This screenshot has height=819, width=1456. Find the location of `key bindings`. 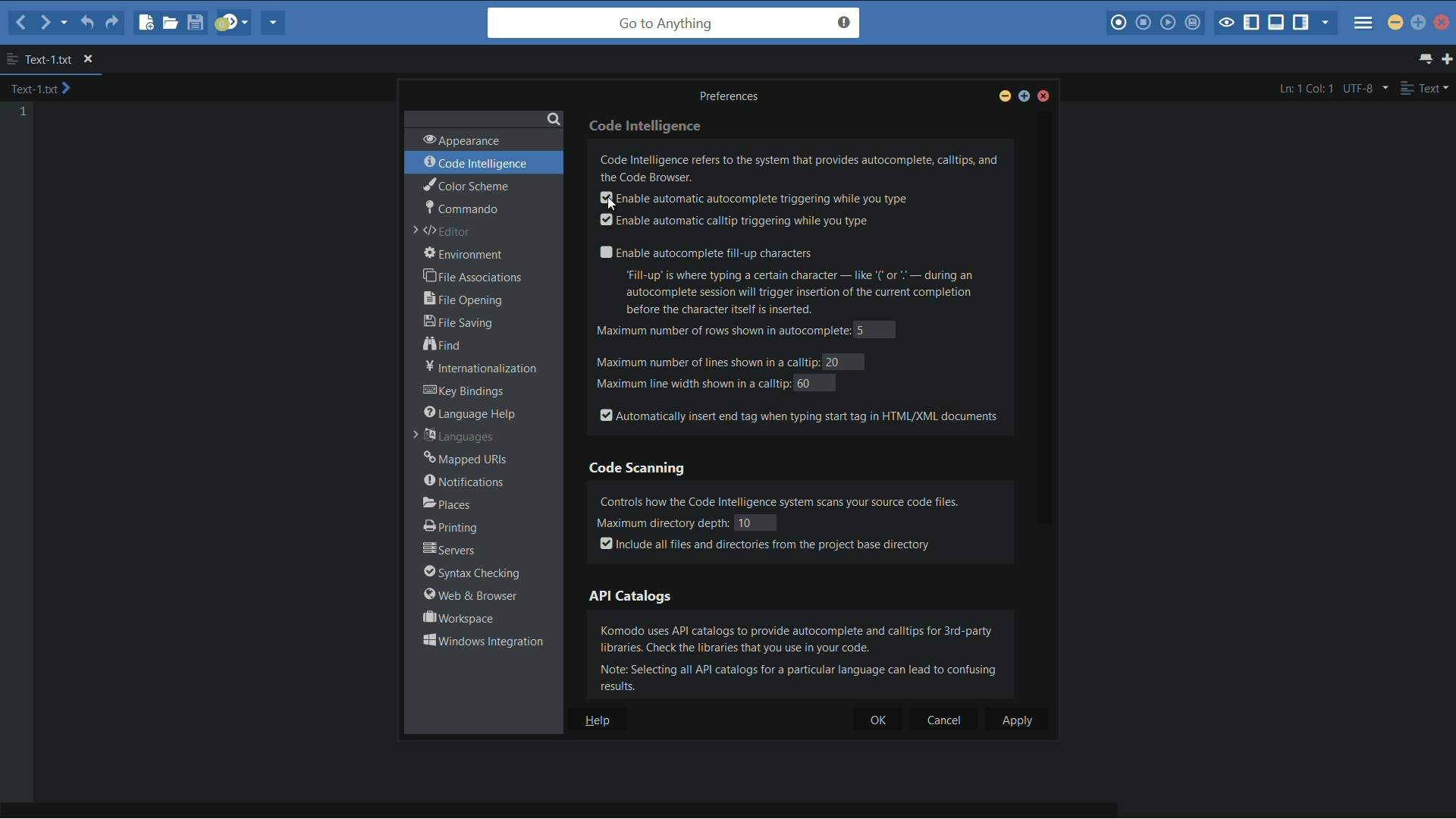

key bindings is located at coordinates (466, 391).